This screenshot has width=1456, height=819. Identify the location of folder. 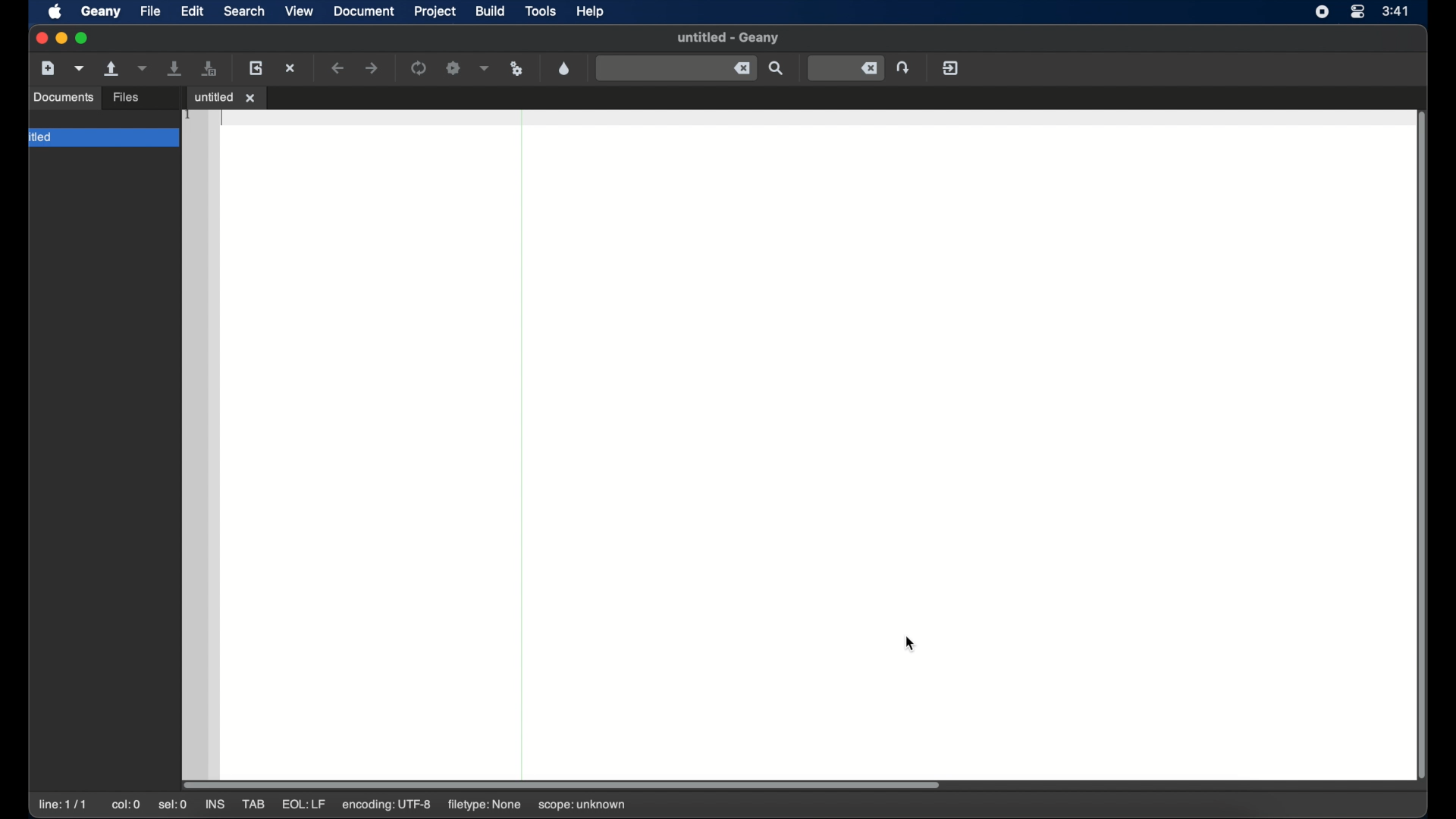
(43, 118).